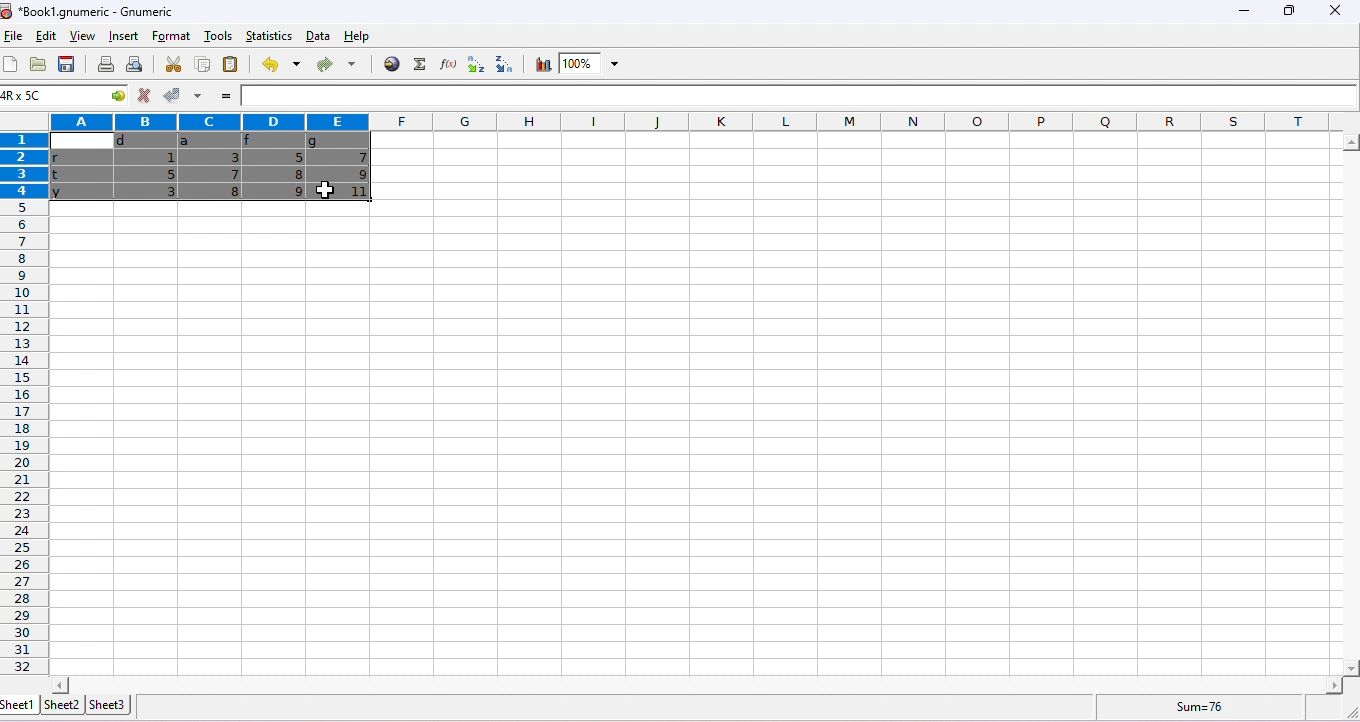  I want to click on row numbers, so click(22, 404).